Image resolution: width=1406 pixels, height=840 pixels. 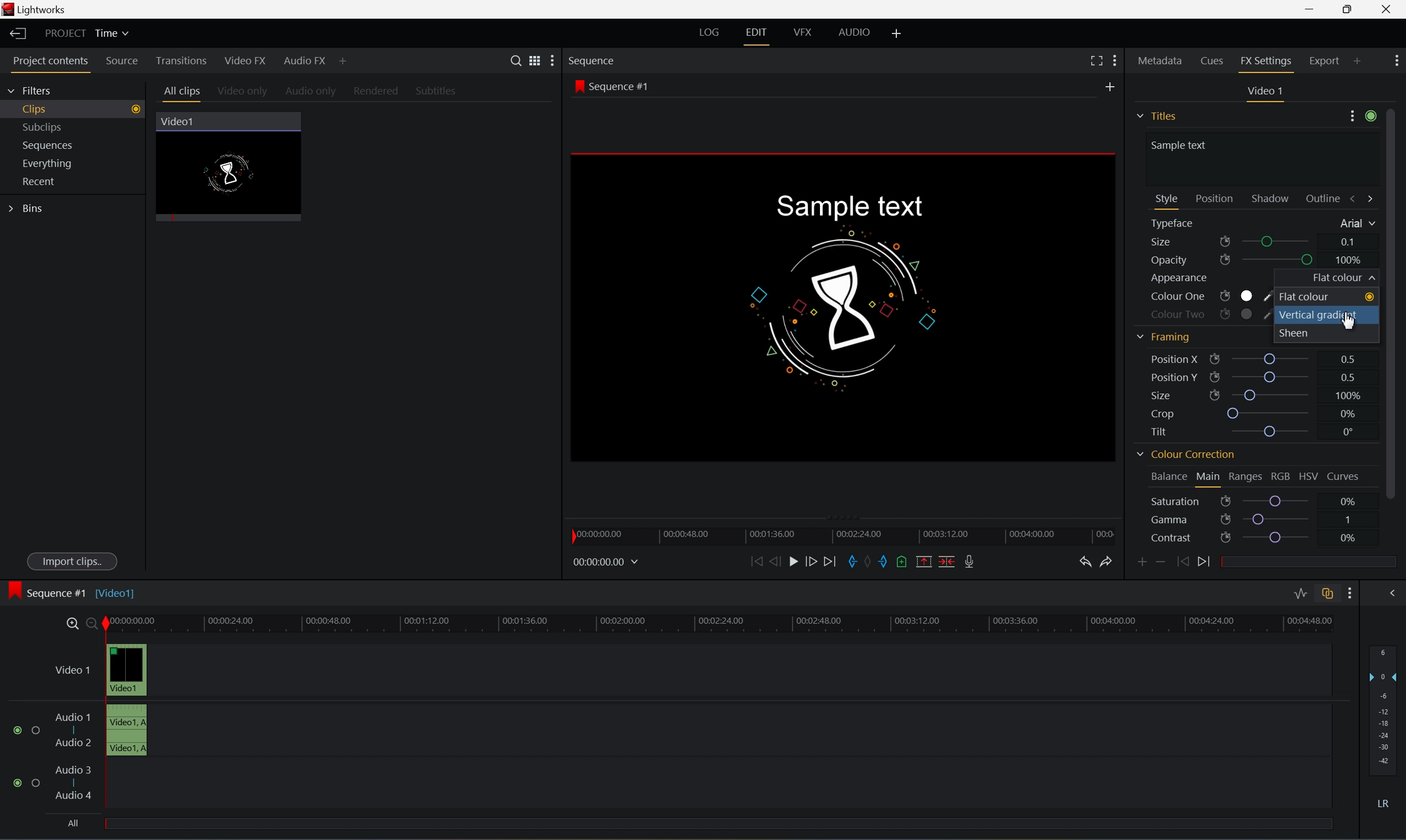 I want to click on slider, so click(x=1271, y=414).